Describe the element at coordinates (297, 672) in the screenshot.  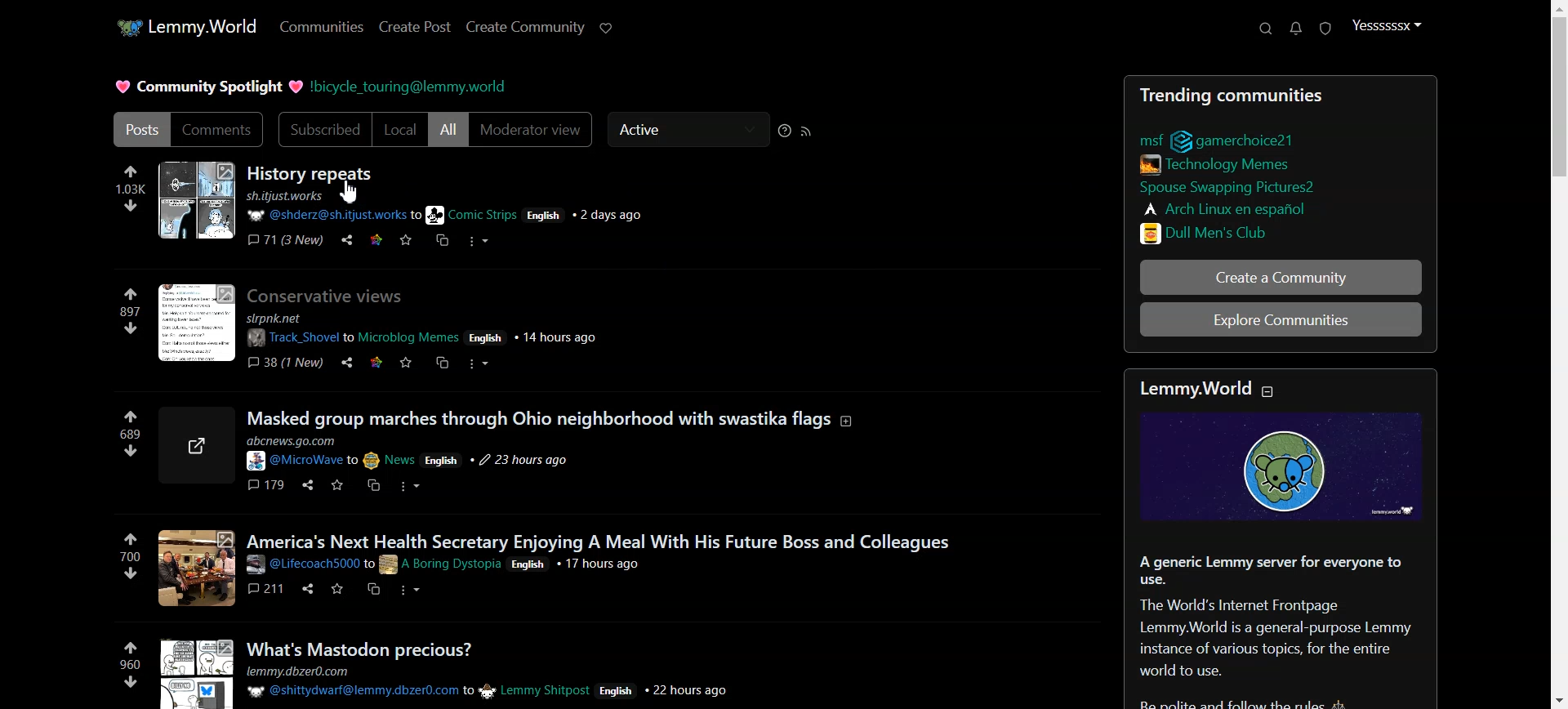
I see `lemmy.dbzer0.com` at that location.